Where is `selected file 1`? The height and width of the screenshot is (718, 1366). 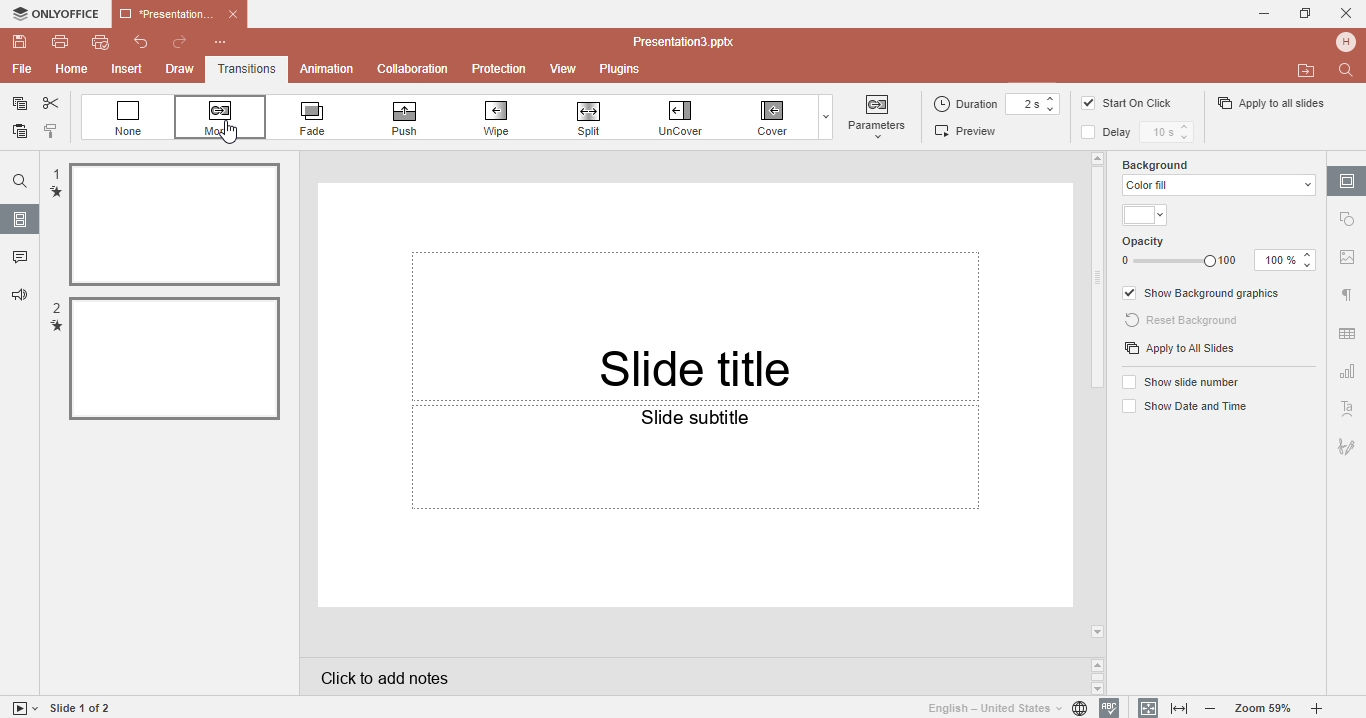 selected file 1 is located at coordinates (173, 224).